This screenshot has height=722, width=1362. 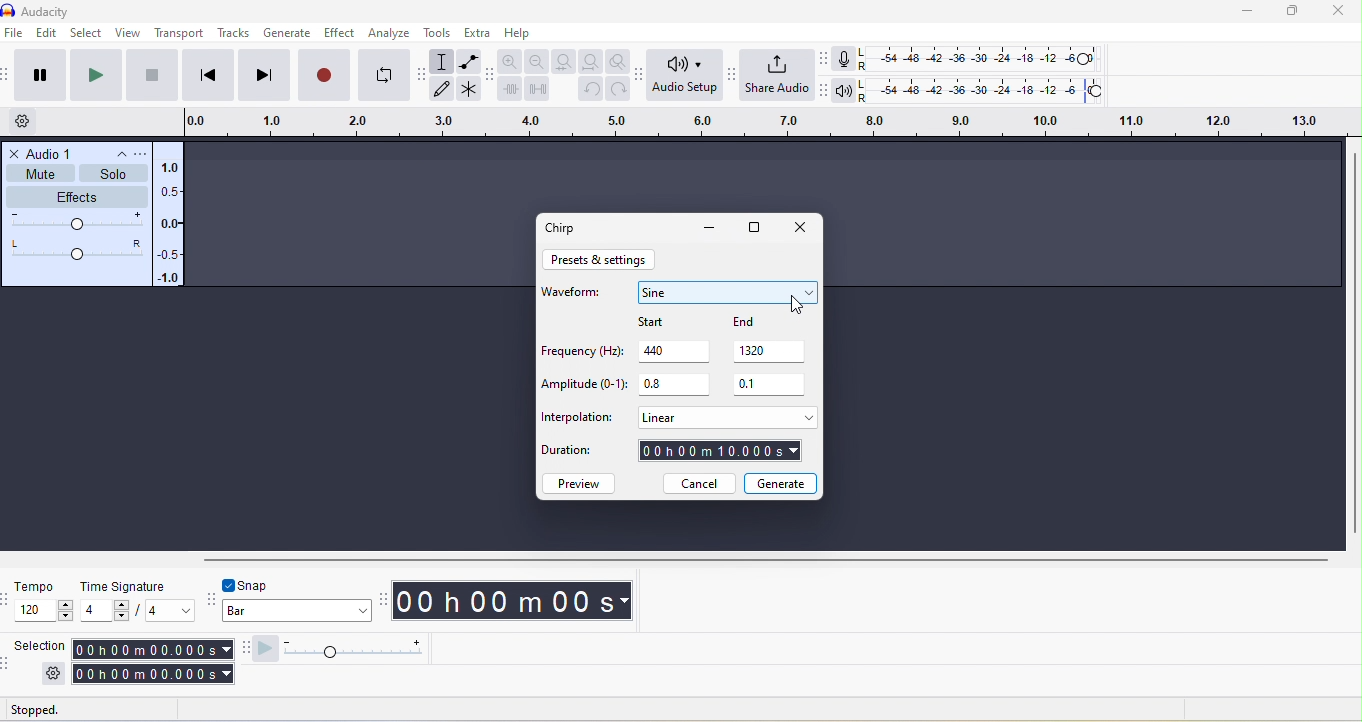 I want to click on generate, so click(x=781, y=482).